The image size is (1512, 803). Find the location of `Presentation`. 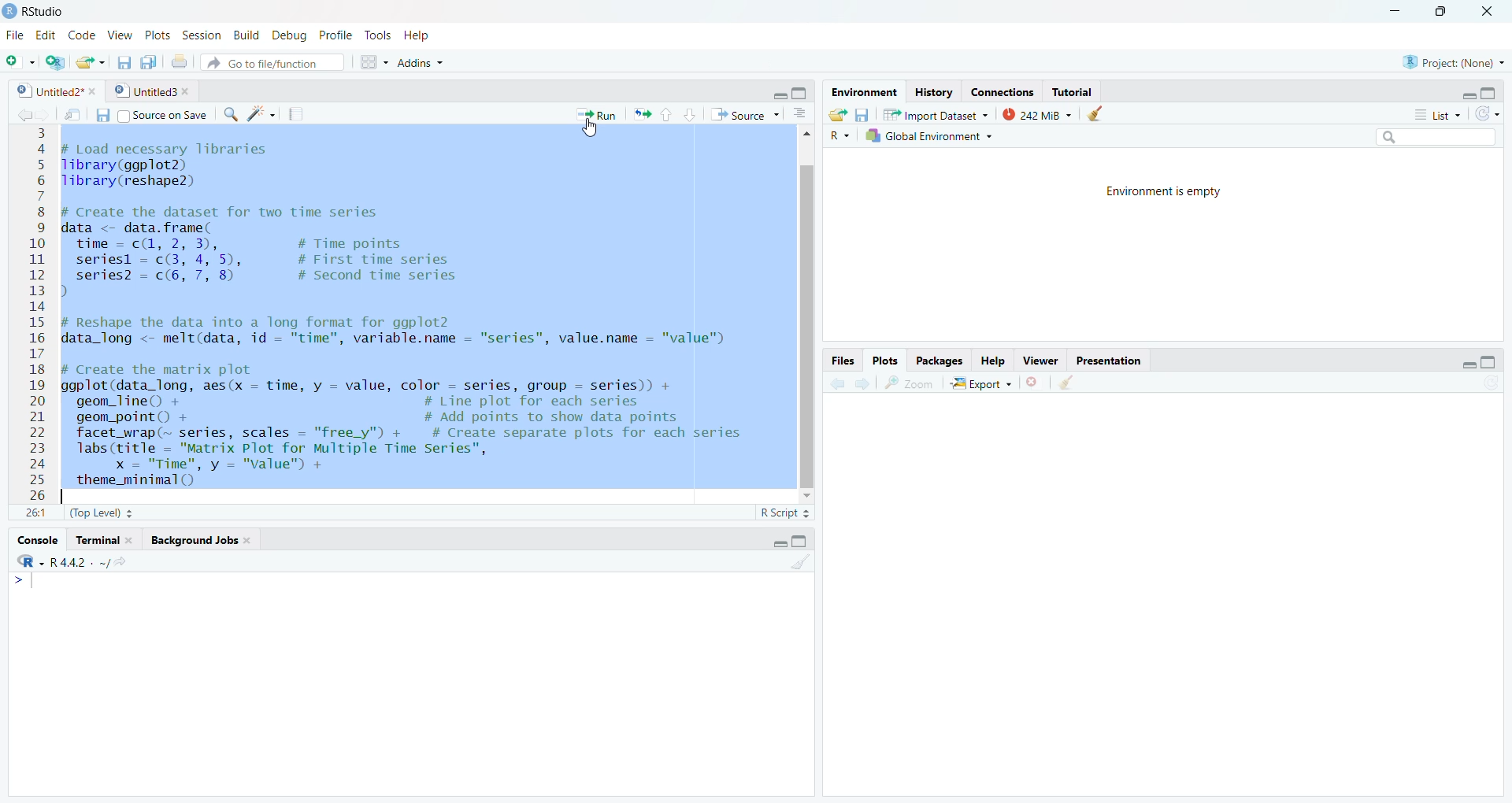

Presentation is located at coordinates (1106, 358).